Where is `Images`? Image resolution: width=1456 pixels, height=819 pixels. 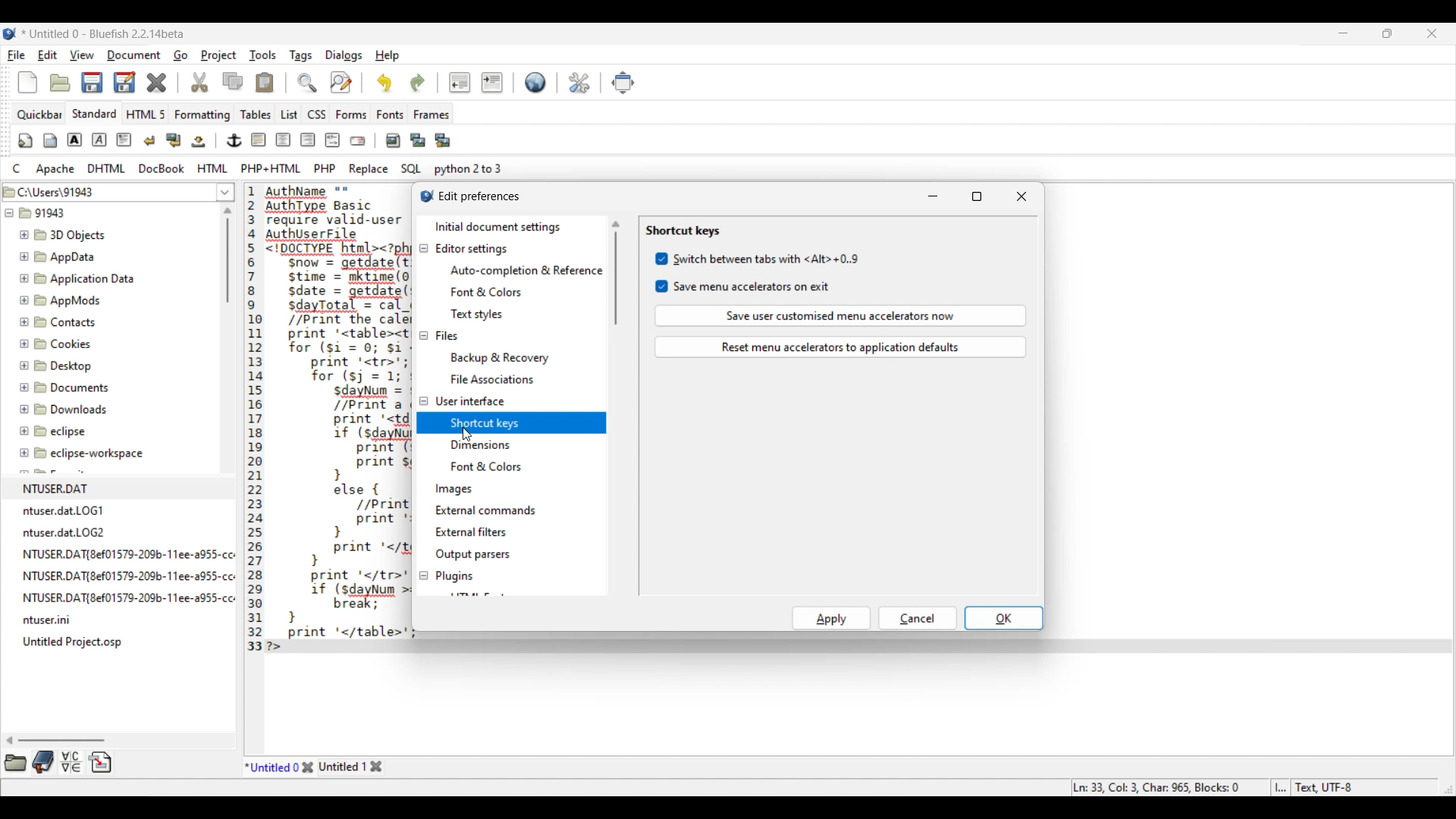
Images is located at coordinates (456, 489).